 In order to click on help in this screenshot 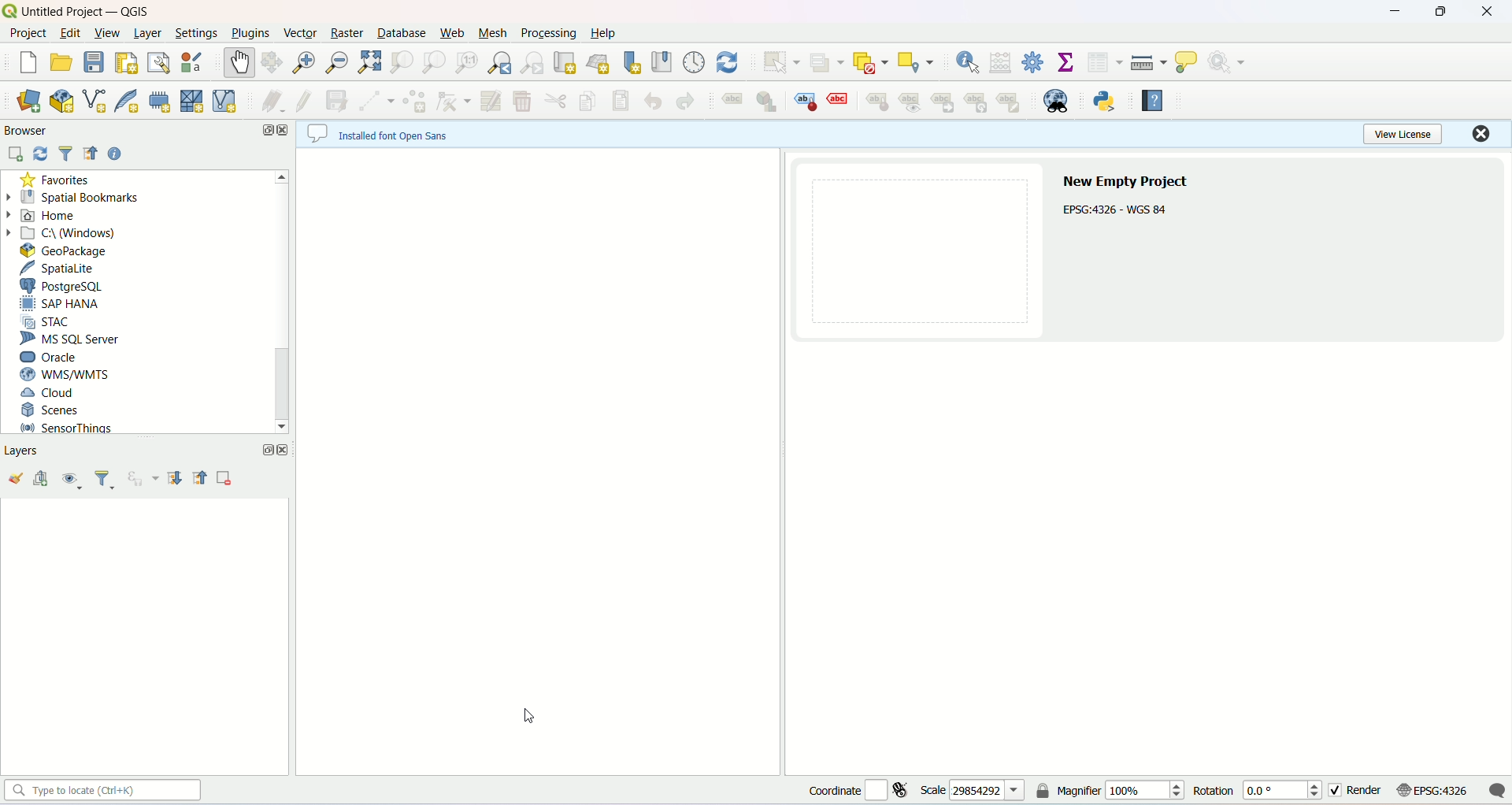, I will do `click(1154, 102)`.